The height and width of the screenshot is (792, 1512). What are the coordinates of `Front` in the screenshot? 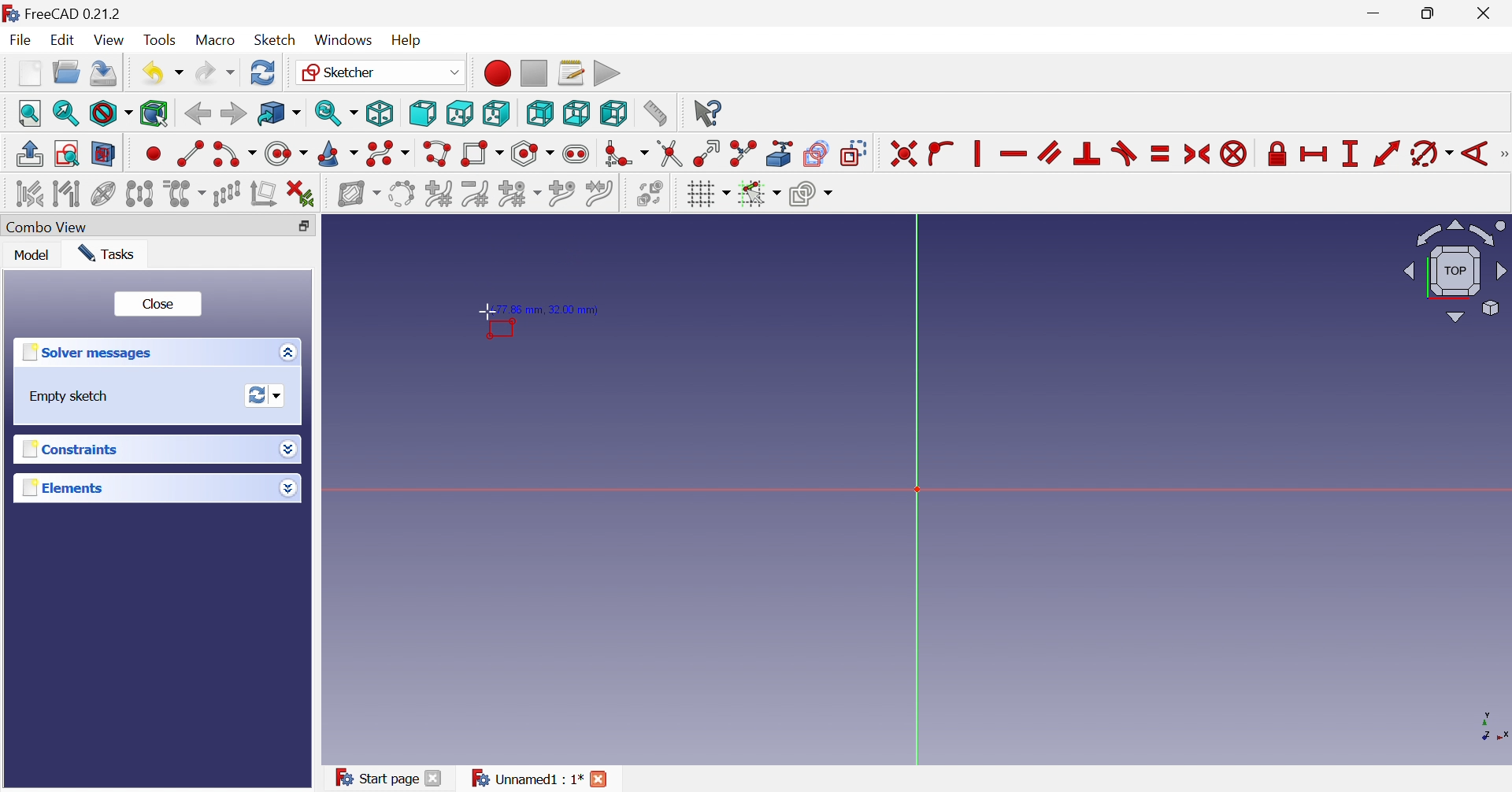 It's located at (422, 113).